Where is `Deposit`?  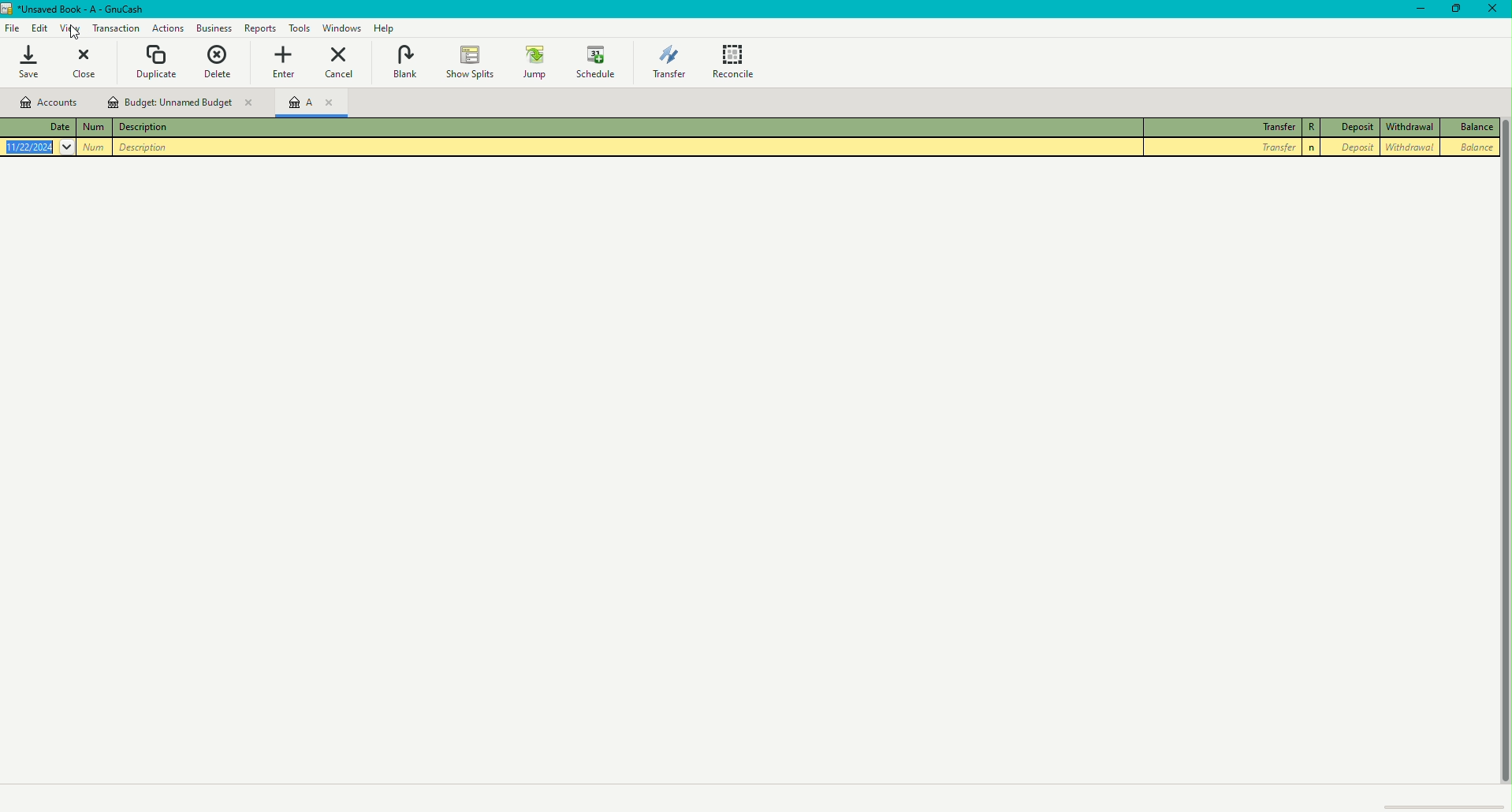 Deposit is located at coordinates (1350, 128).